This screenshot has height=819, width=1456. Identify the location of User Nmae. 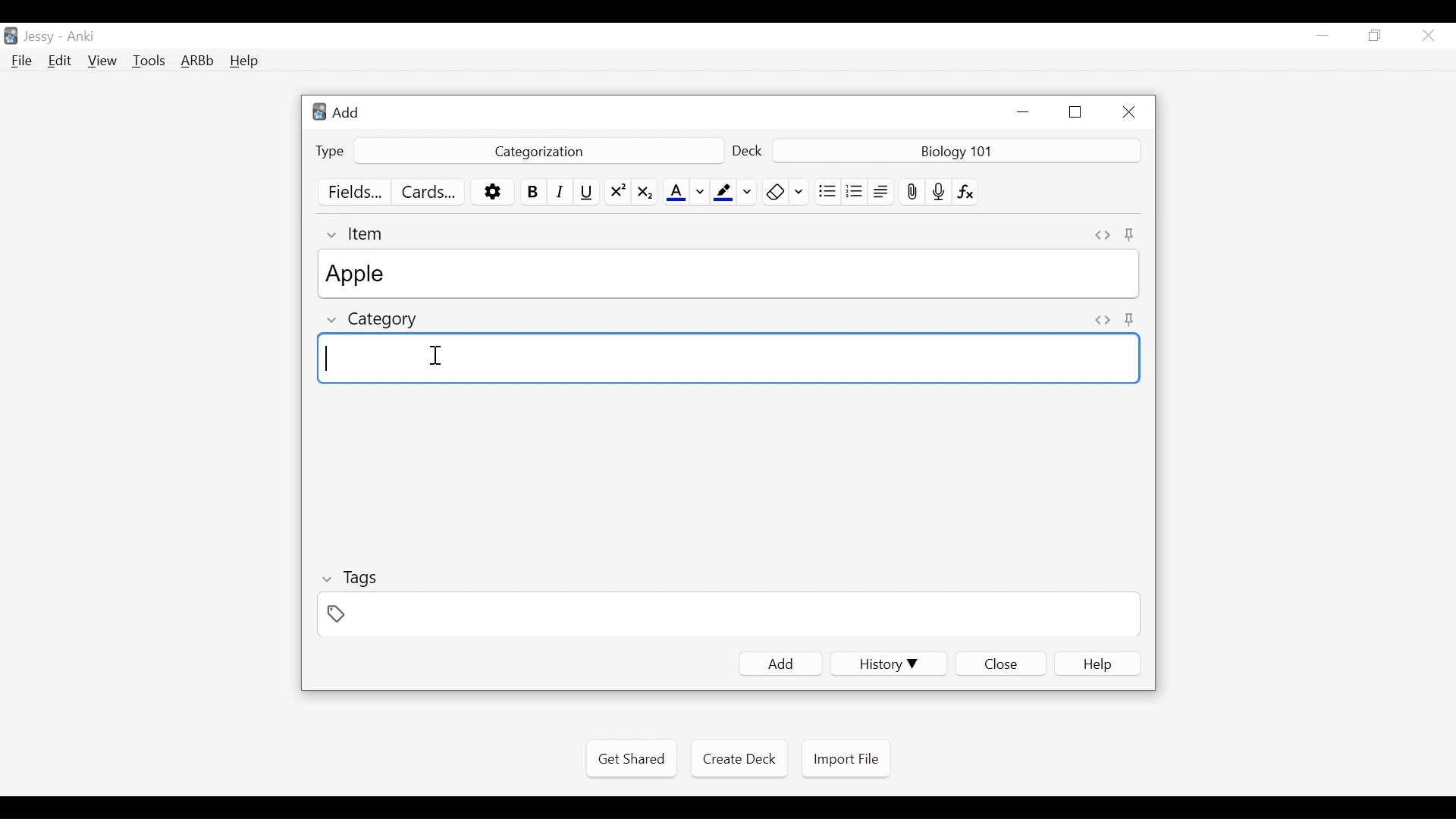
(42, 37).